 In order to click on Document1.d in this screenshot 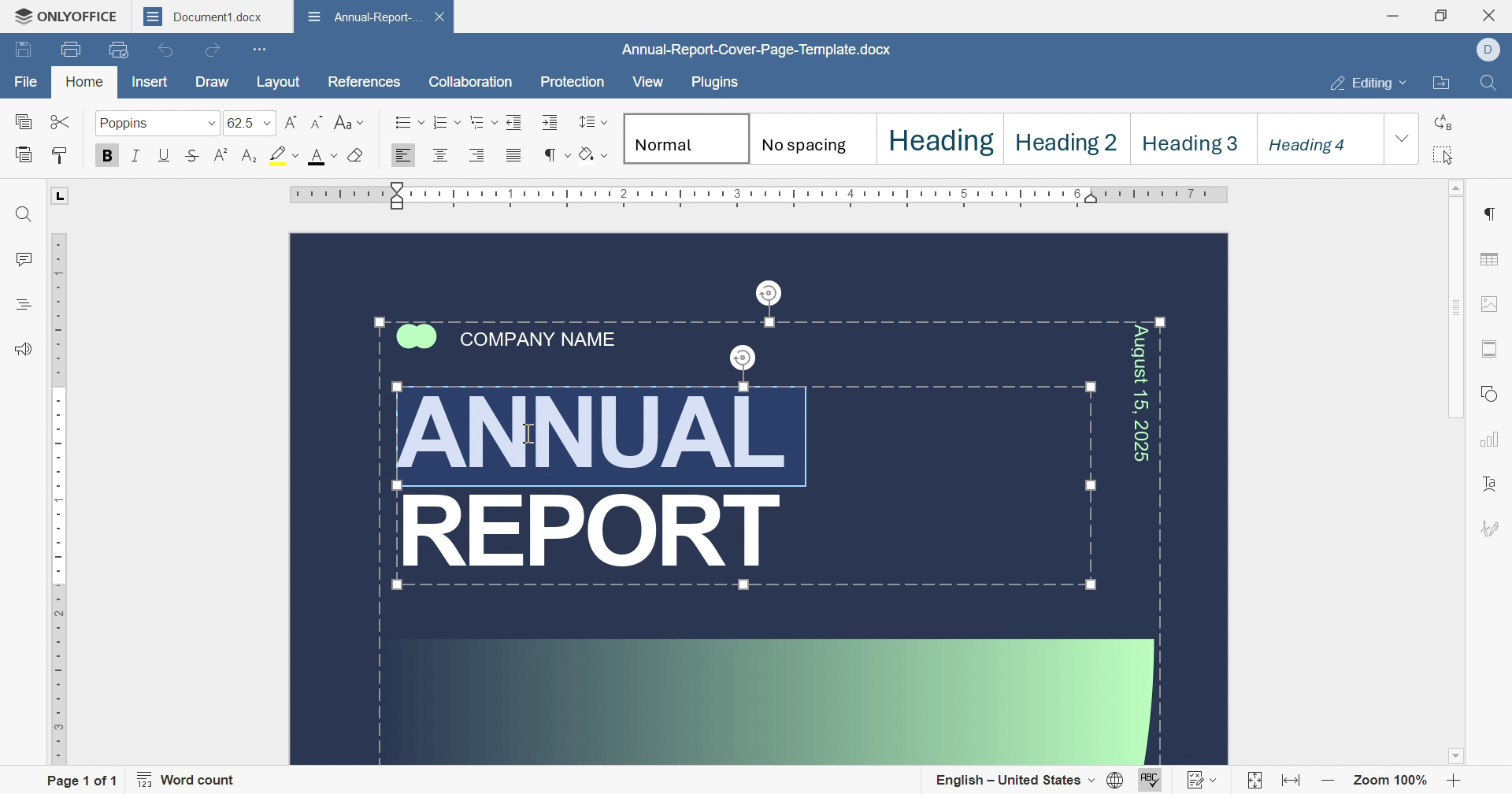, I will do `click(201, 16)`.